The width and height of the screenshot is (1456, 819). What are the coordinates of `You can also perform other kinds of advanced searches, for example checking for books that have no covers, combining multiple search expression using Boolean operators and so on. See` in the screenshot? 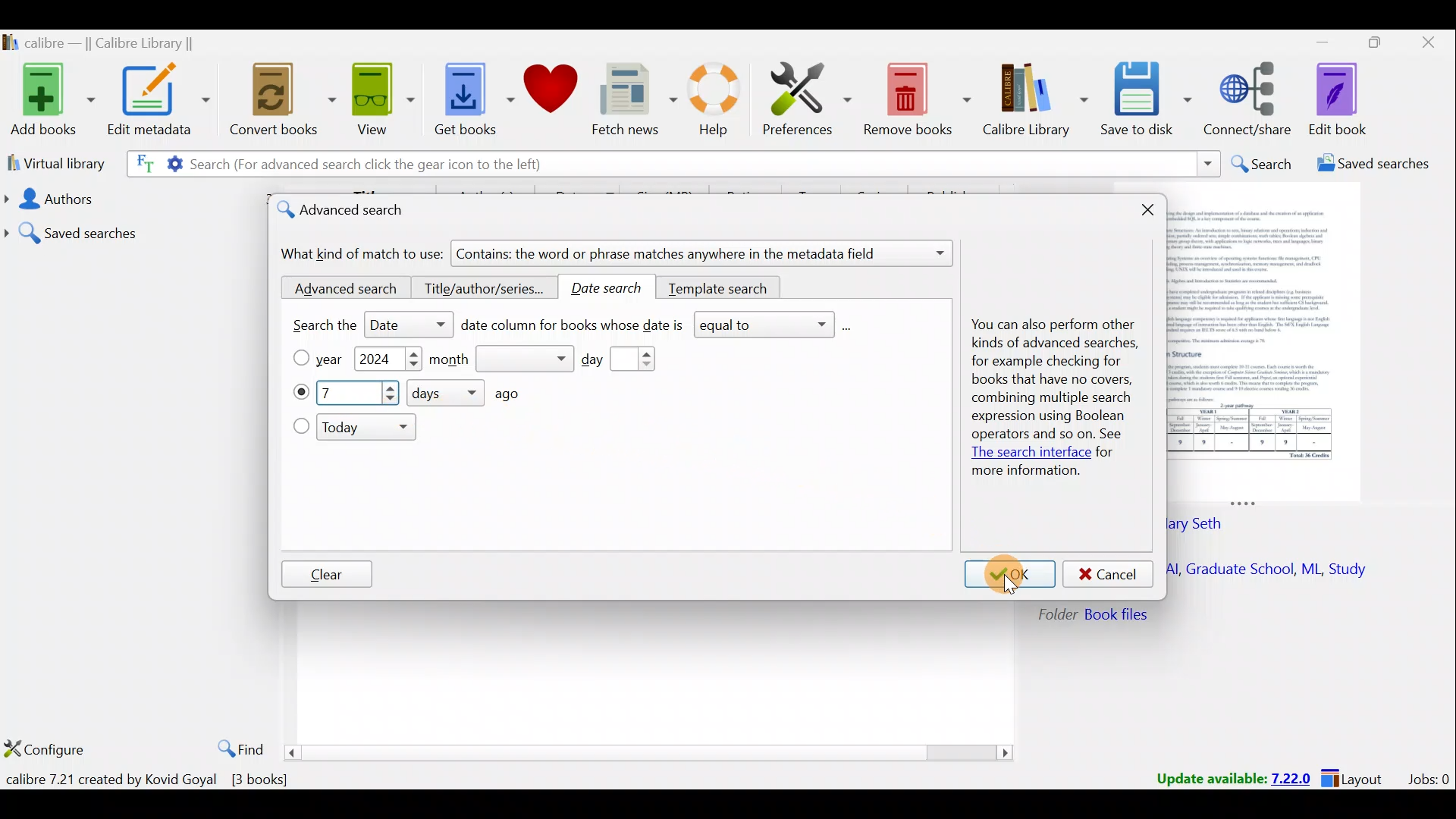 It's located at (1050, 382).